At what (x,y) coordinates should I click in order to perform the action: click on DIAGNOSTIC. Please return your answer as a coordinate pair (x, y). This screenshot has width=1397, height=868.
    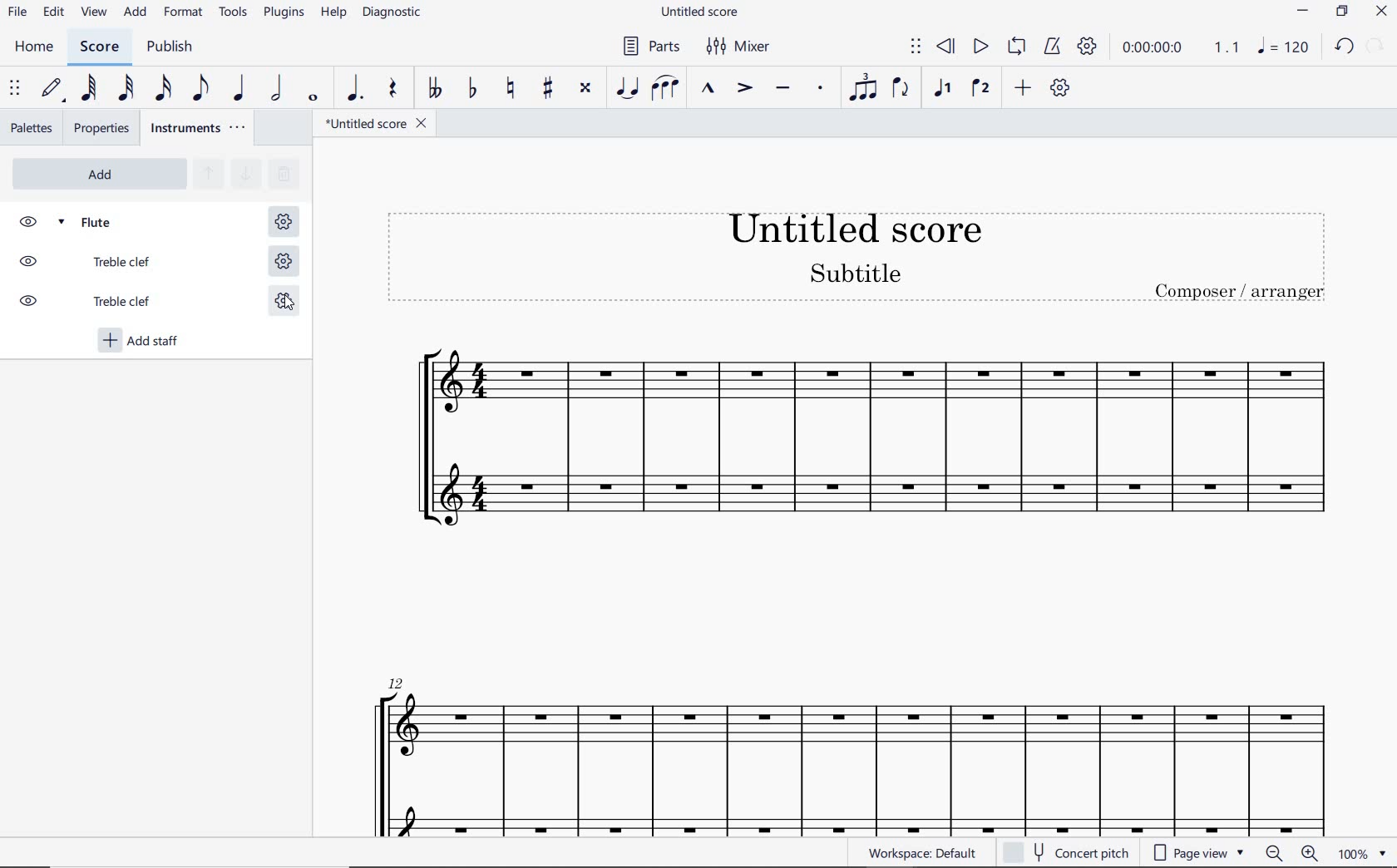
    Looking at the image, I should click on (393, 13).